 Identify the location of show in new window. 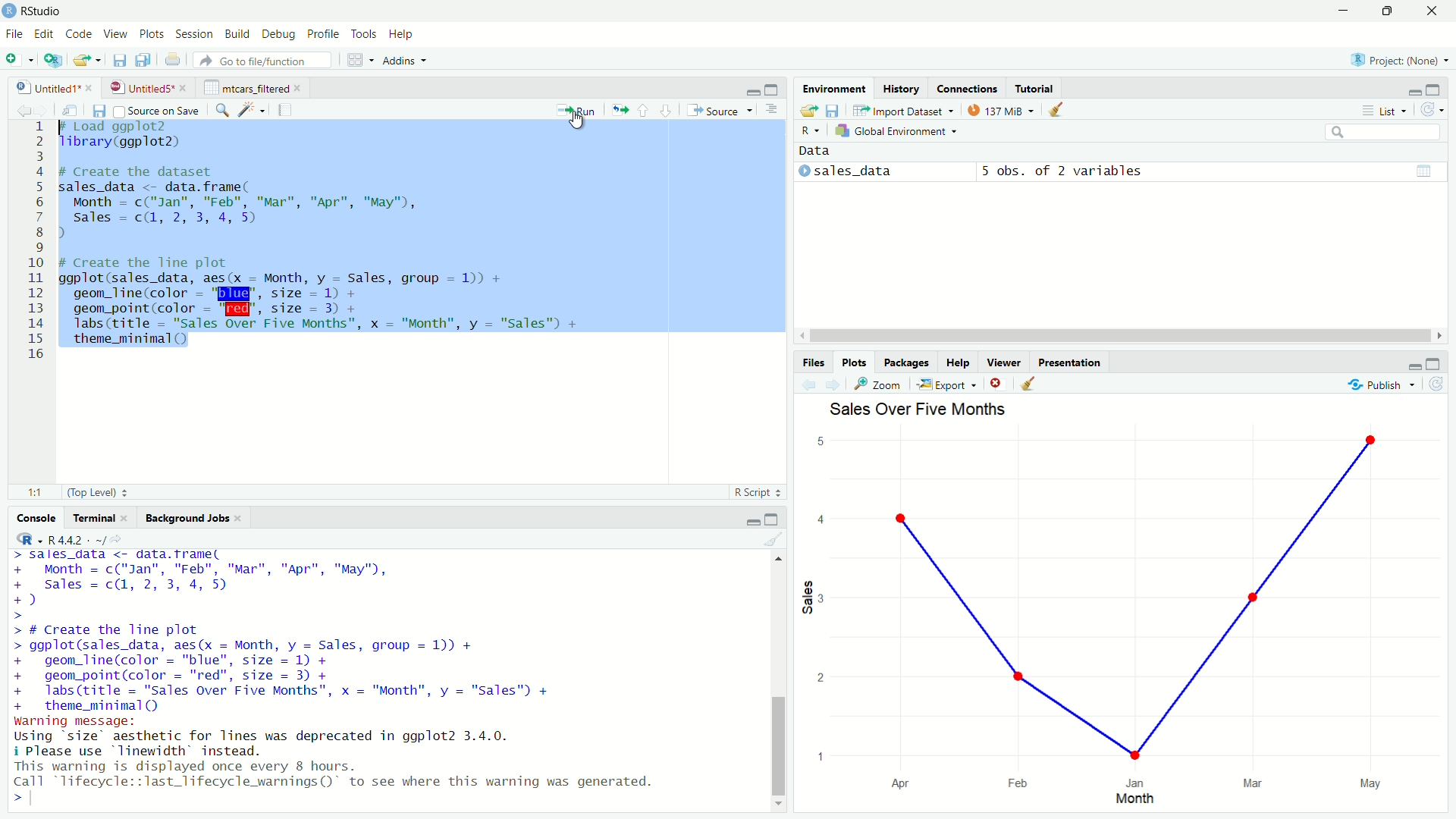
(76, 110).